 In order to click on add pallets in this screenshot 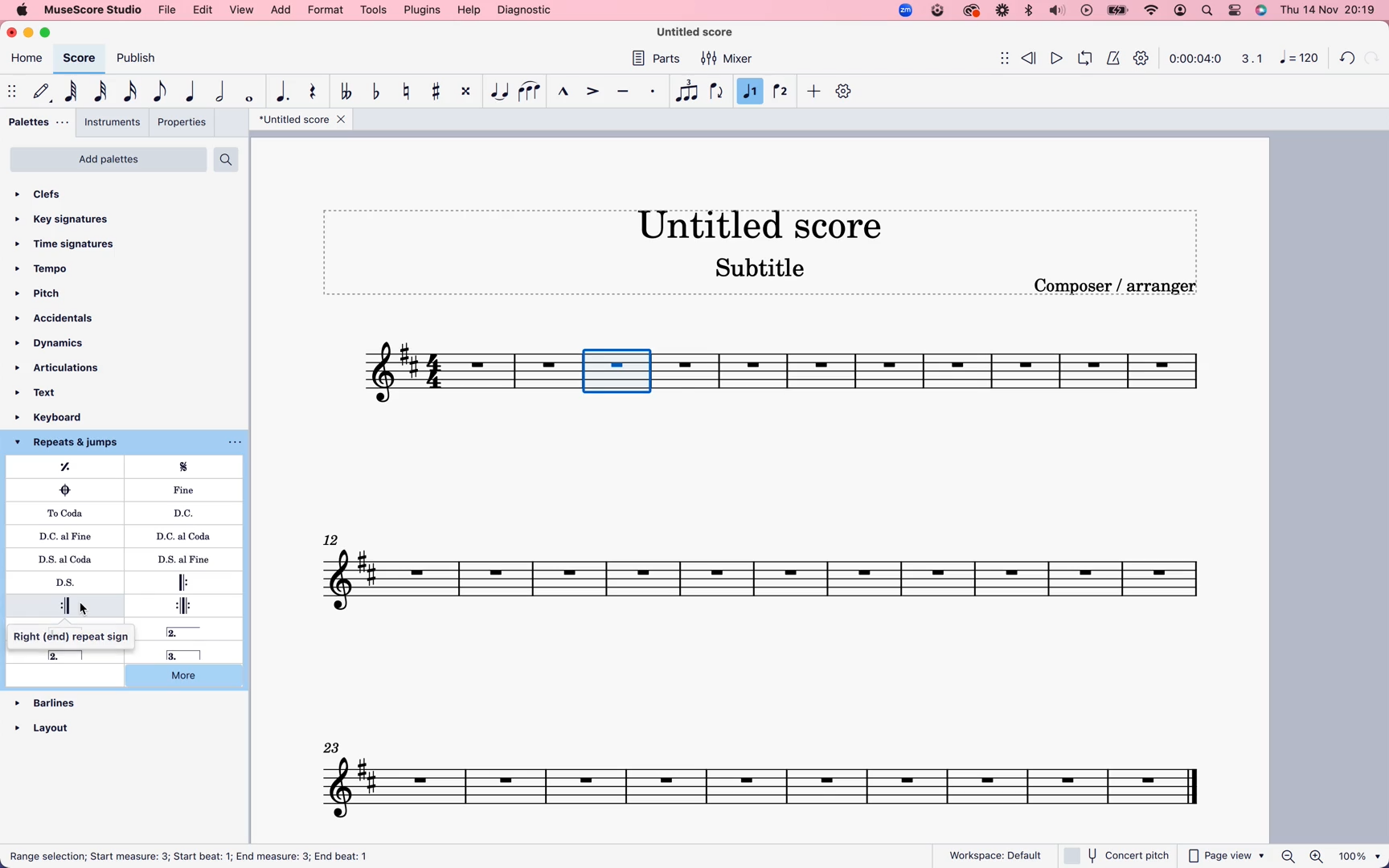, I will do `click(109, 159)`.